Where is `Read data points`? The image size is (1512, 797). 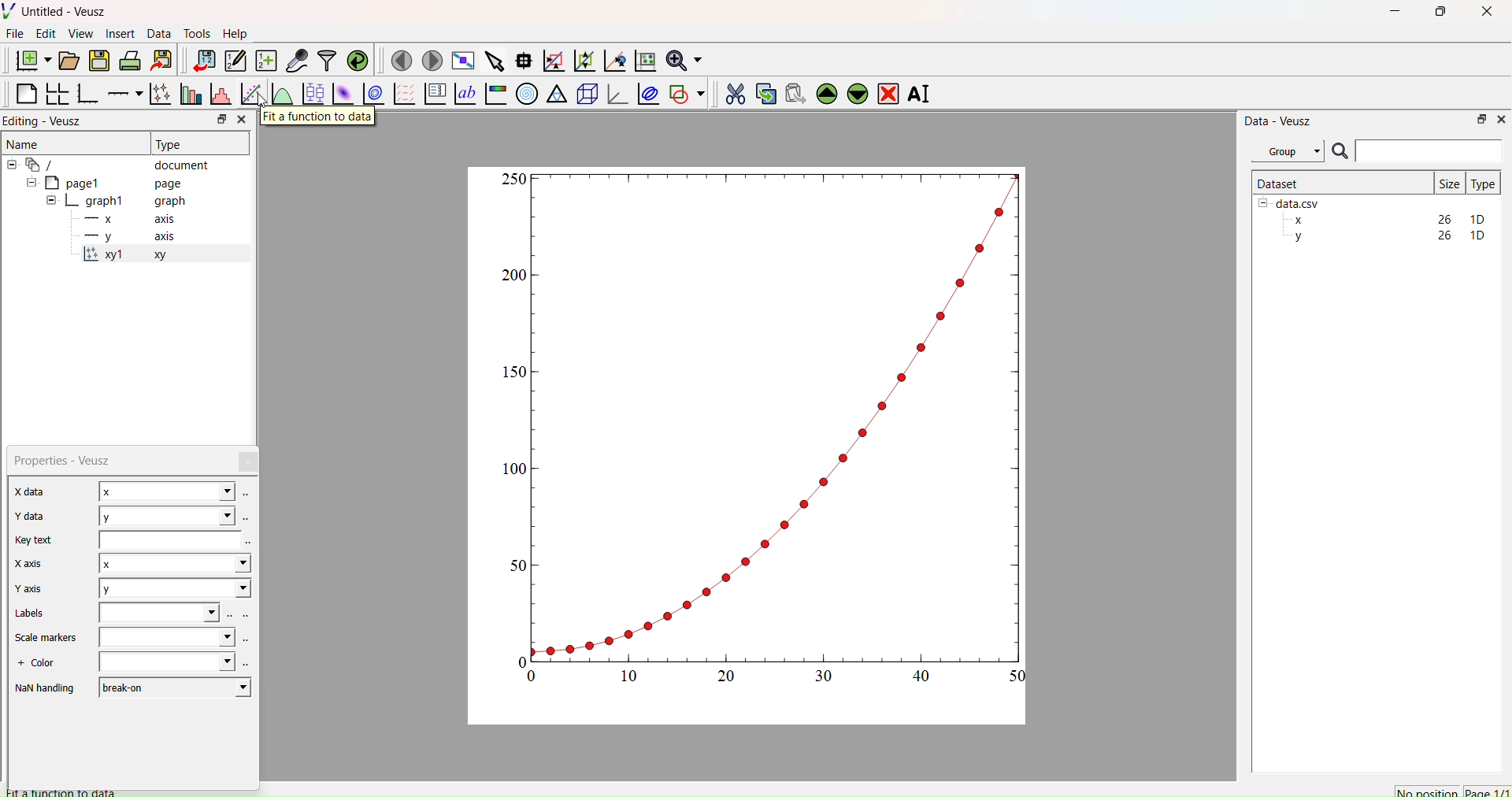
Read data points is located at coordinates (522, 58).